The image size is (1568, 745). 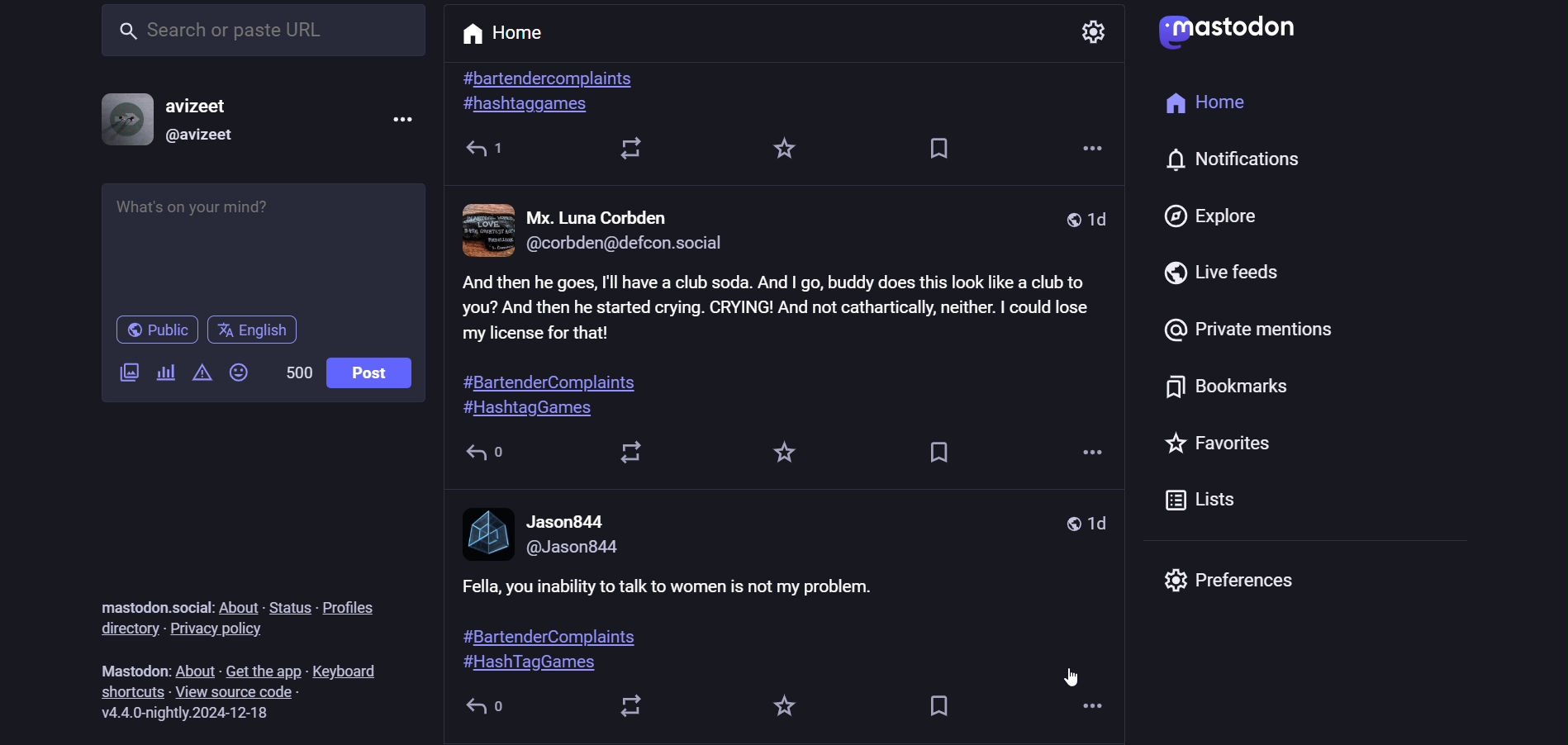 I want to click on @jason844, so click(x=572, y=549).